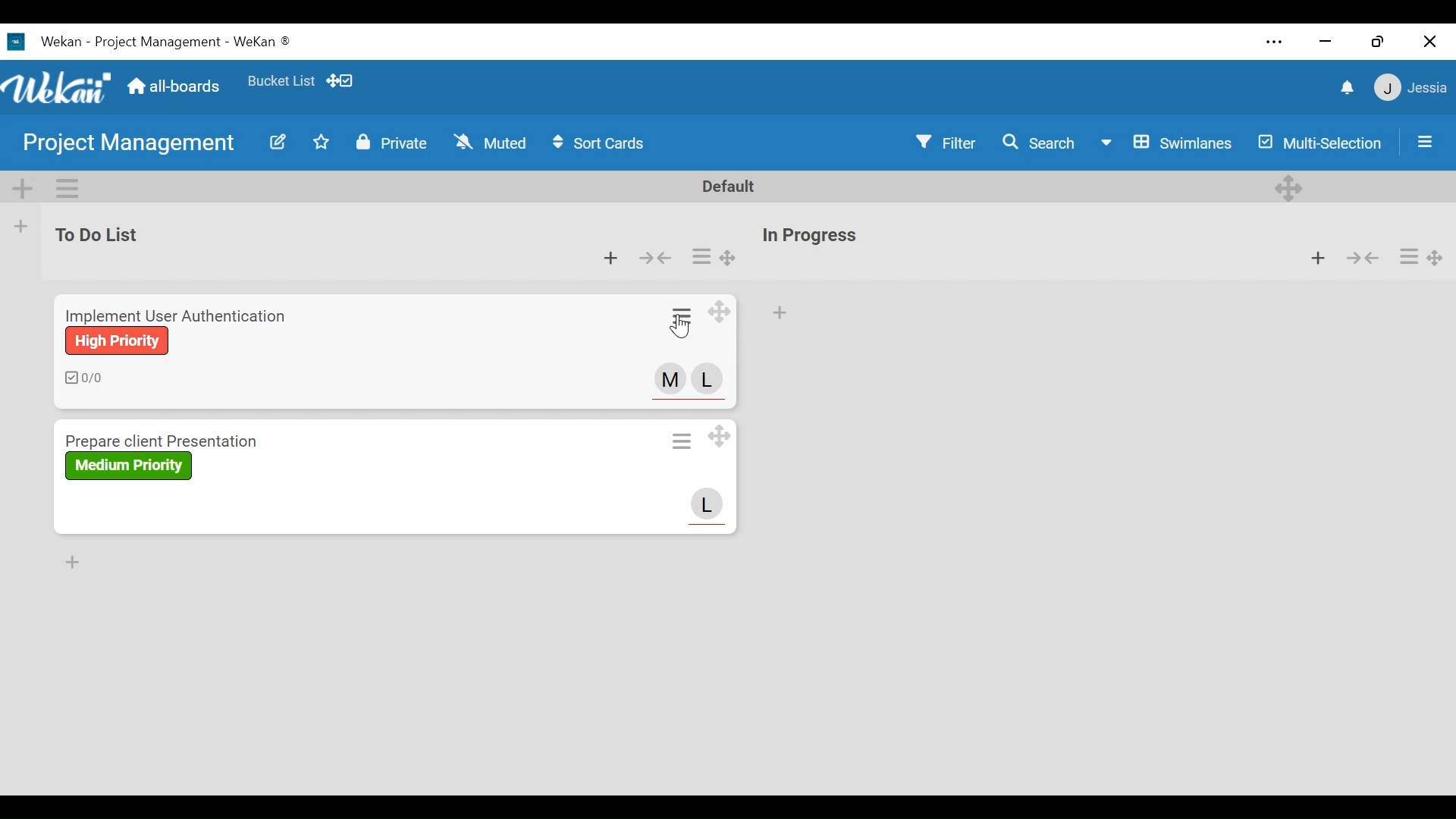 Image resolution: width=1456 pixels, height=819 pixels. What do you see at coordinates (281, 80) in the screenshot?
I see `Favorites` at bounding box center [281, 80].